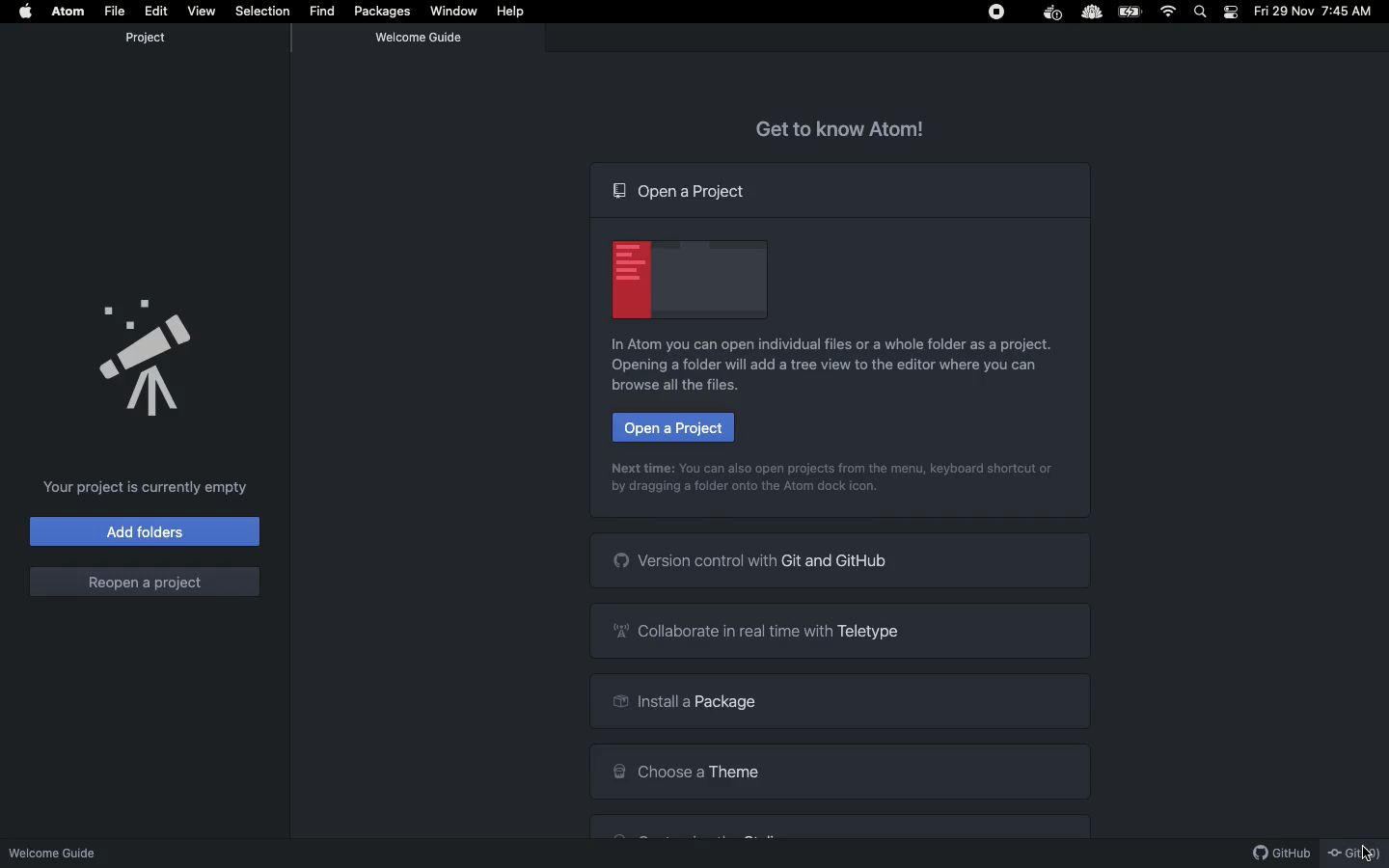 The height and width of the screenshot is (868, 1389). Describe the element at coordinates (155, 11) in the screenshot. I see `Edit` at that location.